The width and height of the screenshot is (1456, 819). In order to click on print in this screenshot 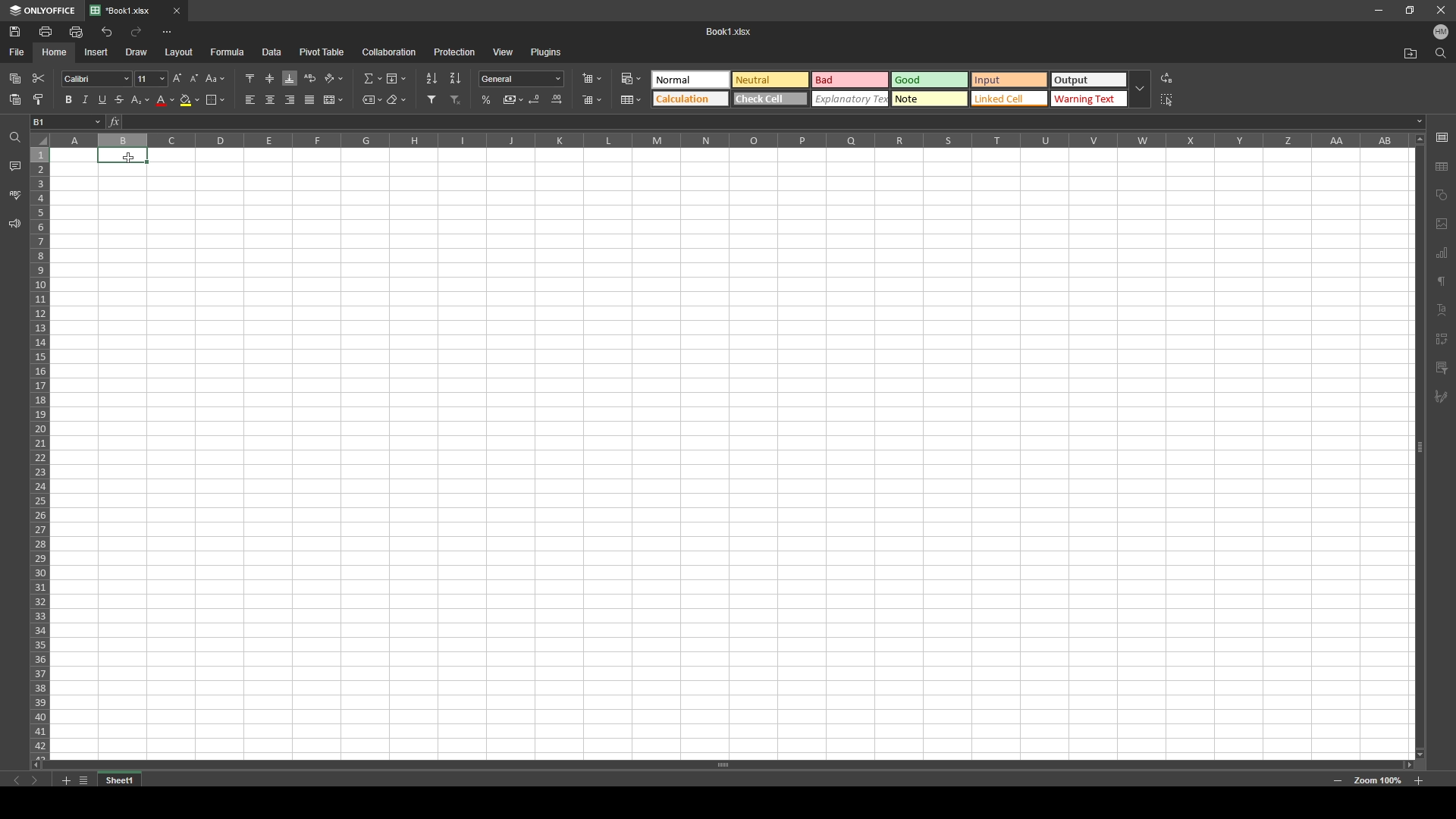, I will do `click(47, 31)`.